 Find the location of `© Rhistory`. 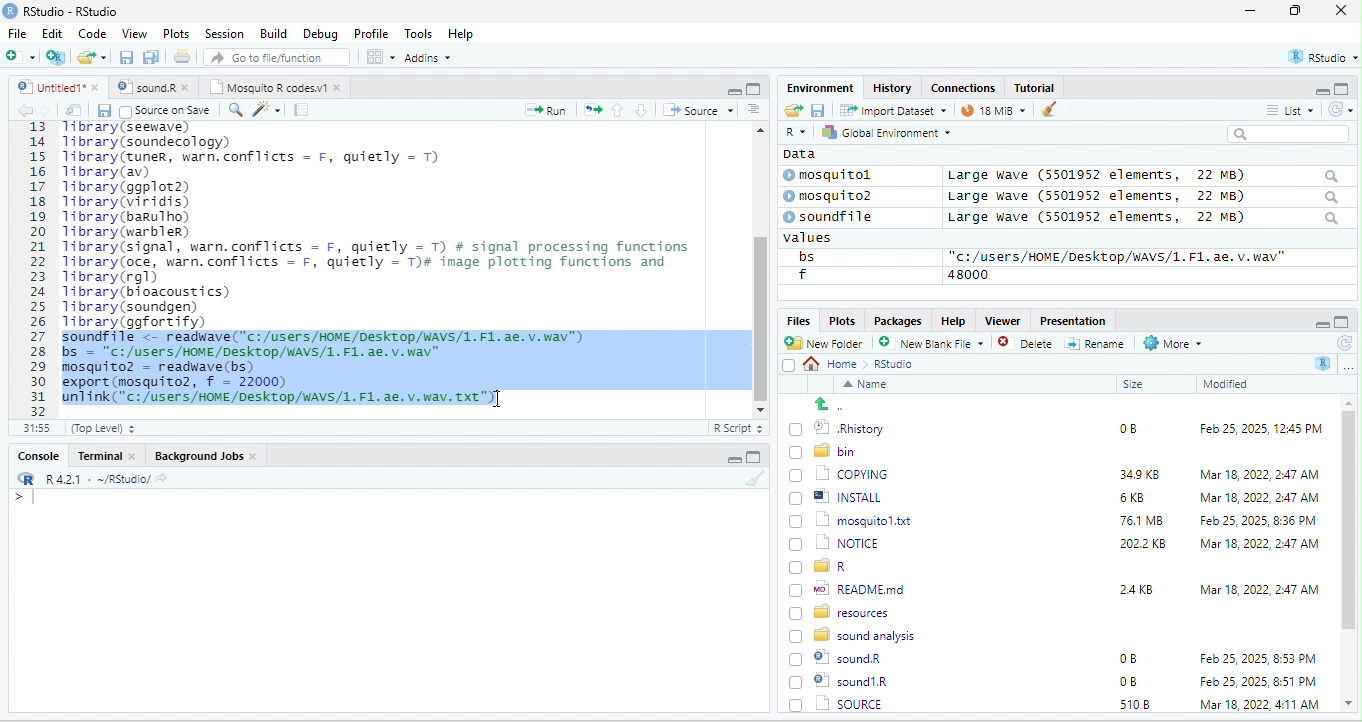

© Rhistory is located at coordinates (838, 426).